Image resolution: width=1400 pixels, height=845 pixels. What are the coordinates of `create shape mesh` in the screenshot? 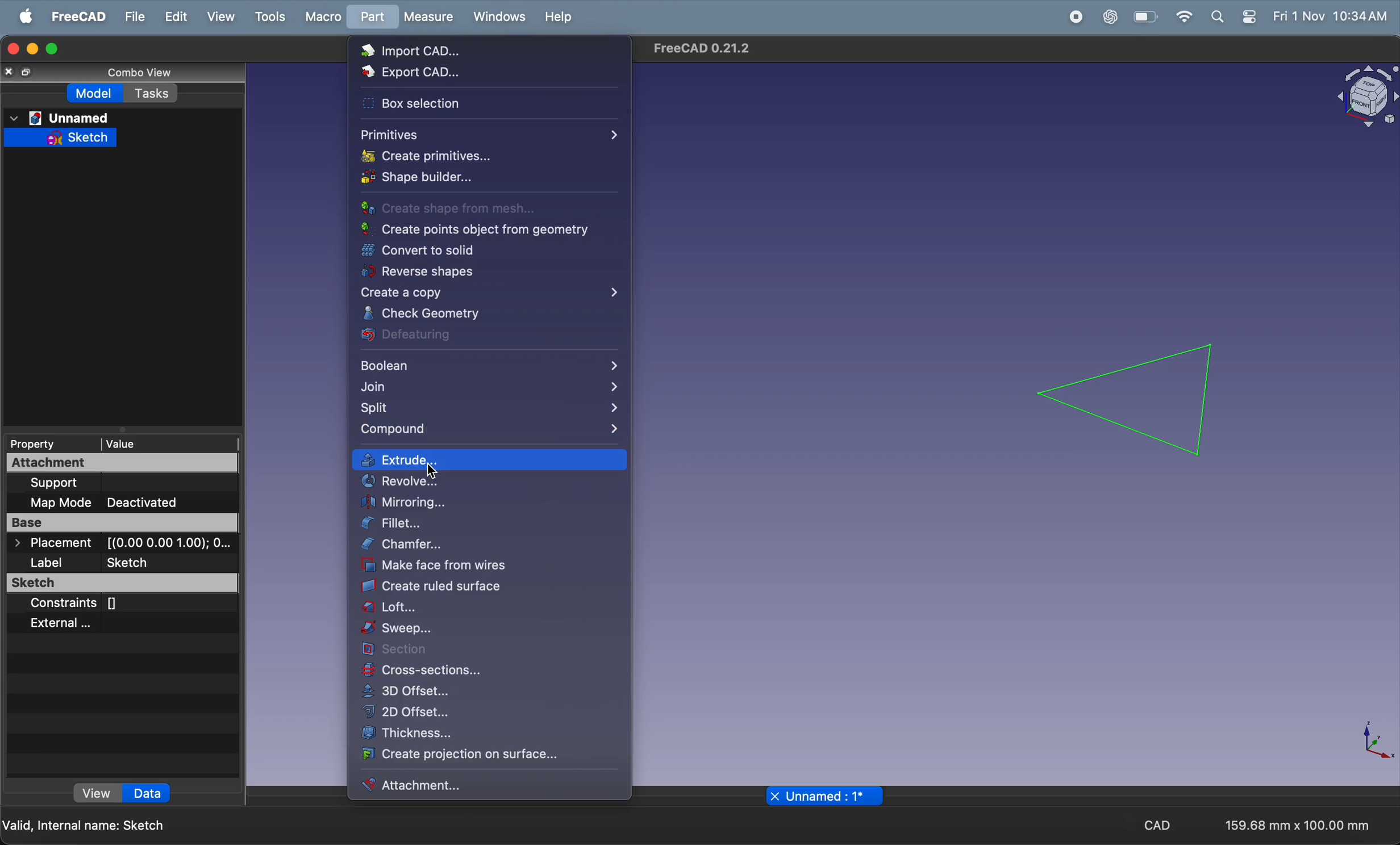 It's located at (466, 209).